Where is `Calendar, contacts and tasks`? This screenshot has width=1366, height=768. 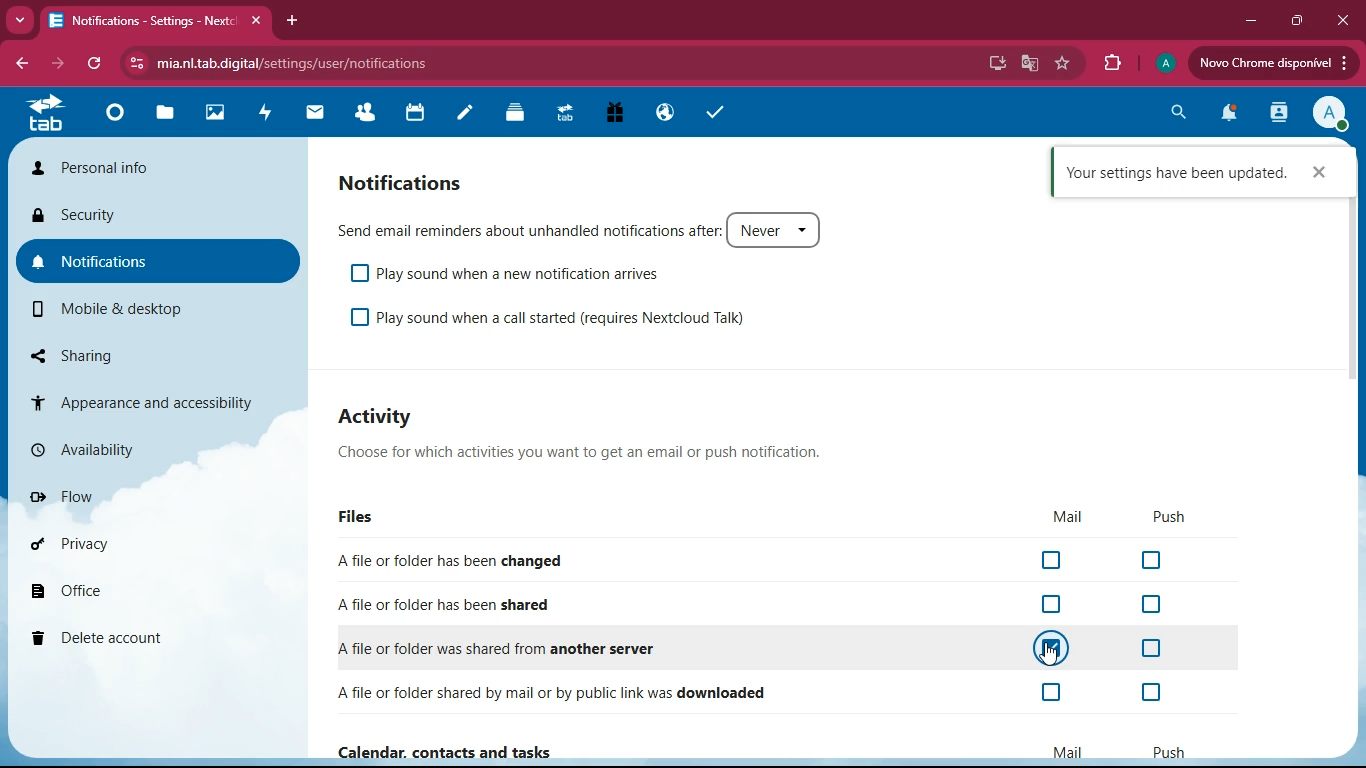 Calendar, contacts and tasks is located at coordinates (448, 753).